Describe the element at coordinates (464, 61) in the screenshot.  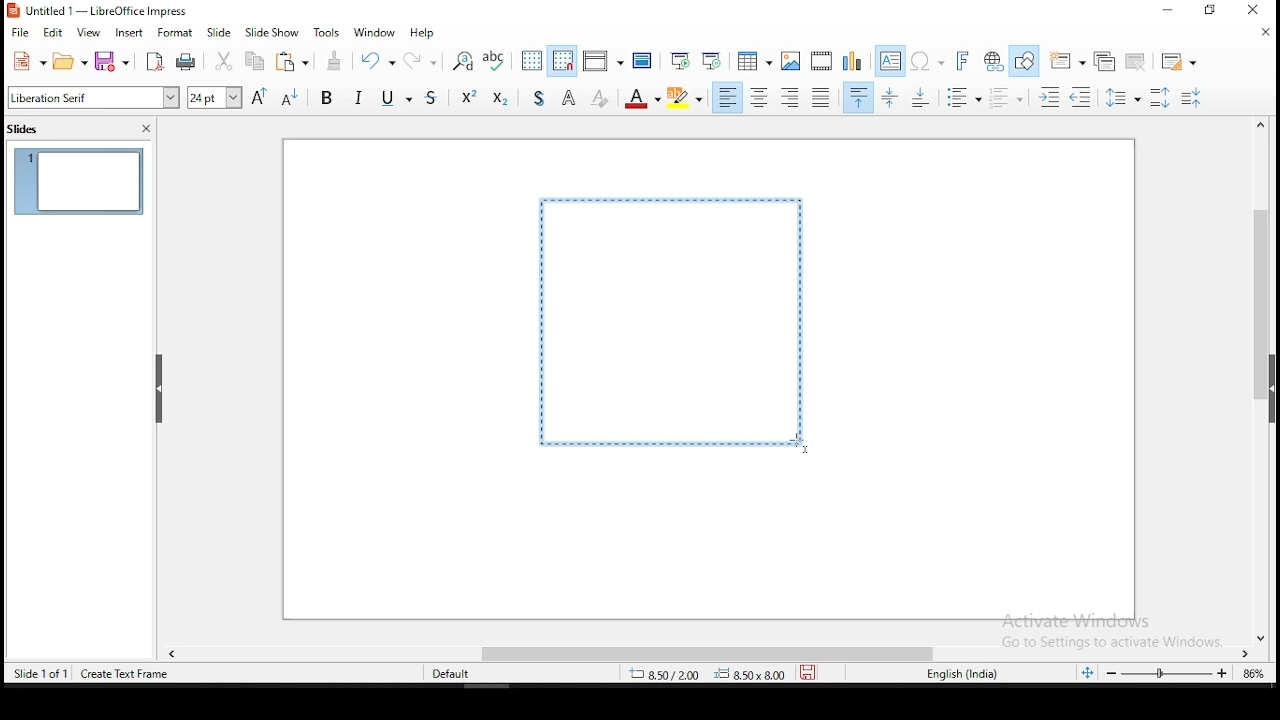
I see `find and replace` at that location.